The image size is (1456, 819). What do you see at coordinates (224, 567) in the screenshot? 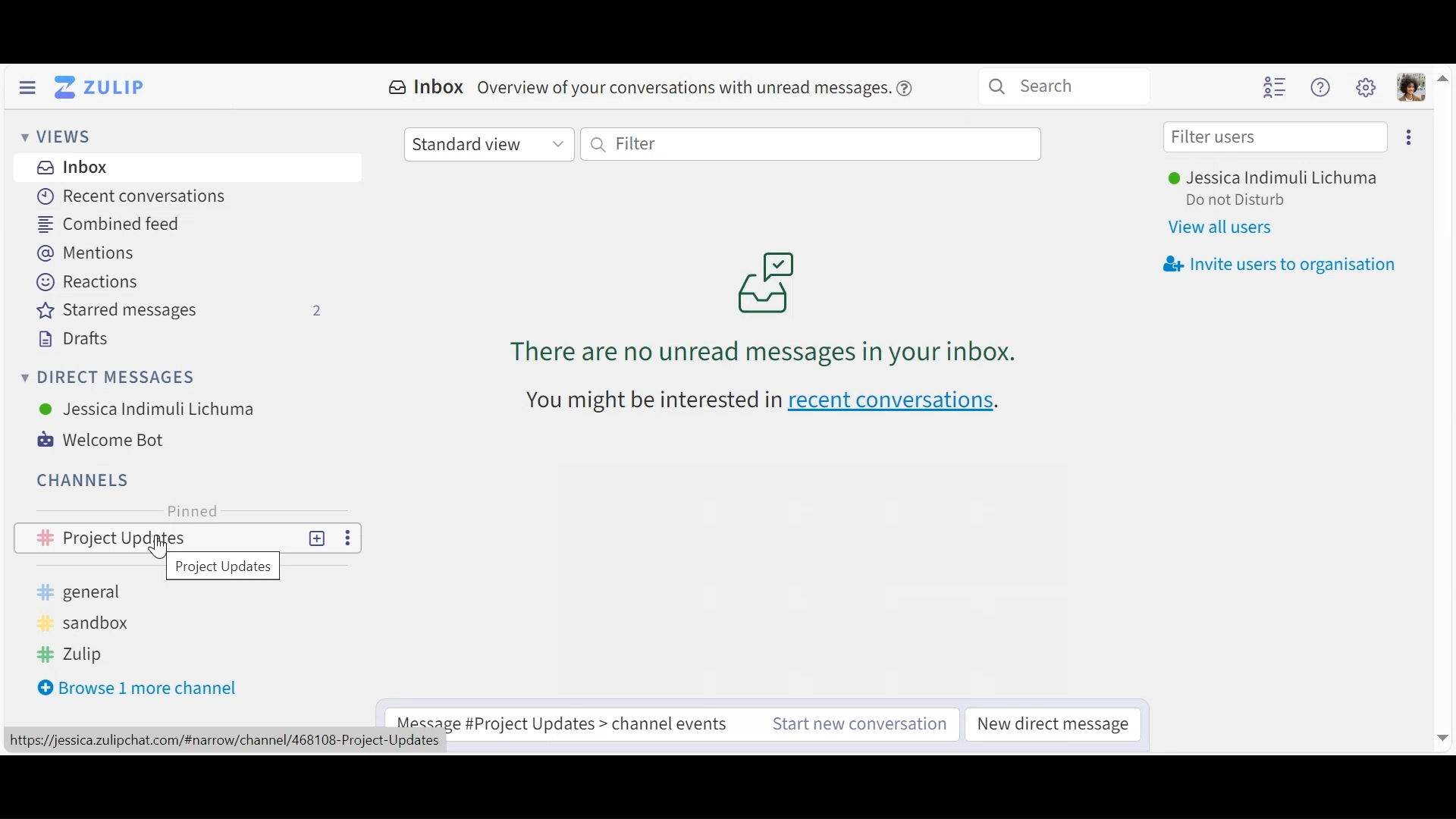
I see `Channel name` at bounding box center [224, 567].